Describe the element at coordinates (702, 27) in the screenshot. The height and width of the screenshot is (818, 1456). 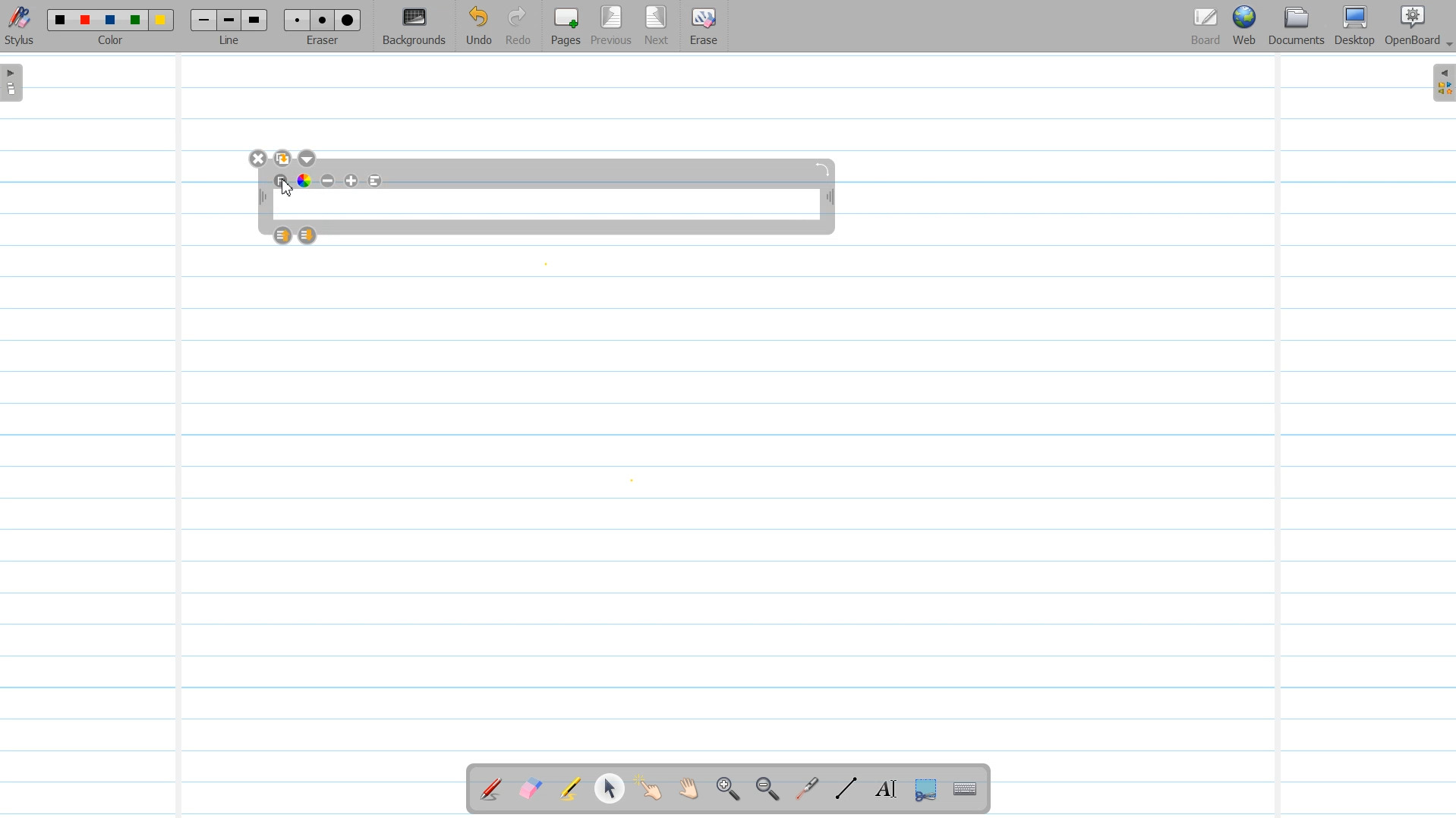
I see `Erase` at that location.